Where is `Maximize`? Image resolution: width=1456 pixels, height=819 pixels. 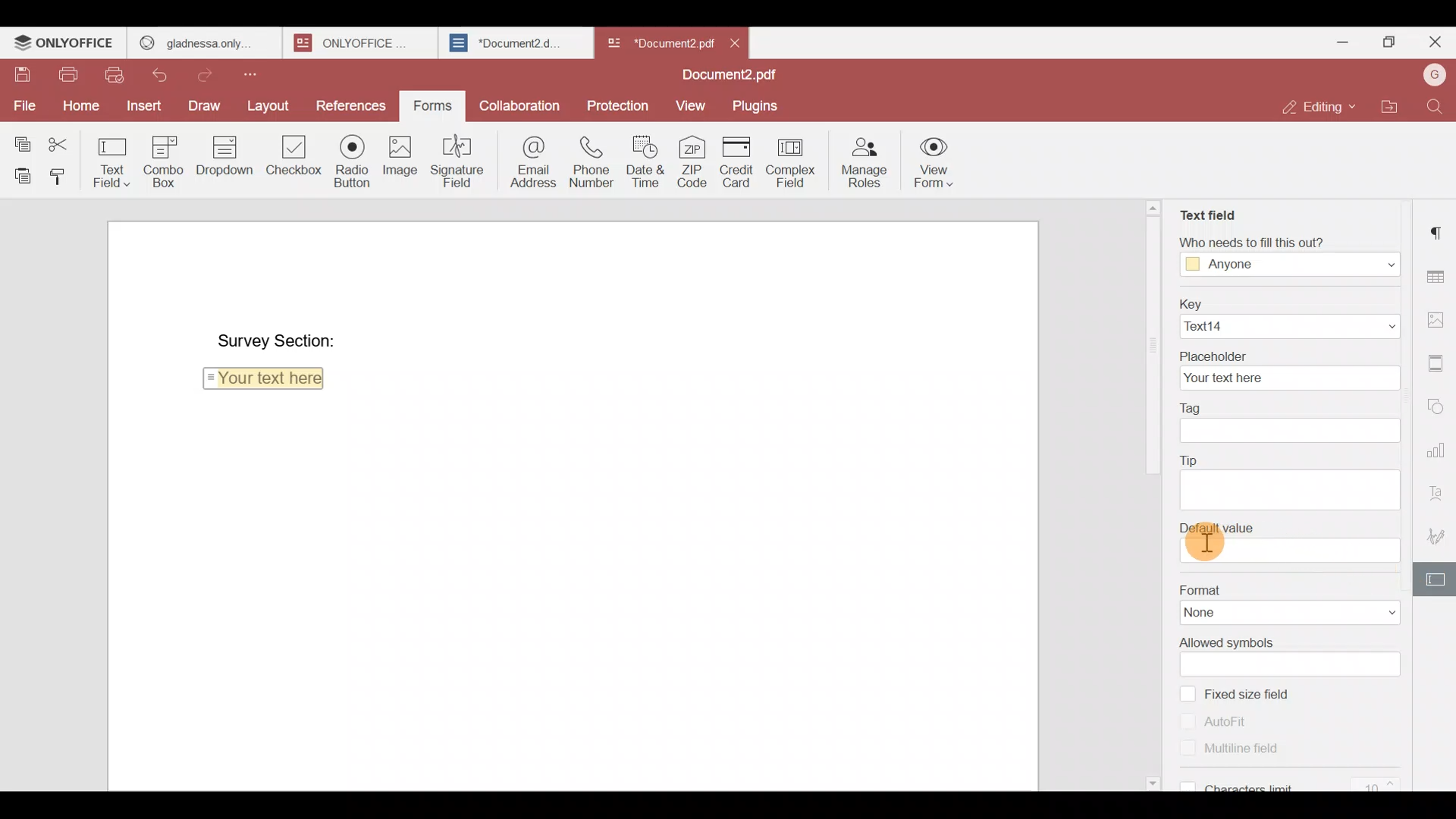
Maximize is located at coordinates (1392, 42).